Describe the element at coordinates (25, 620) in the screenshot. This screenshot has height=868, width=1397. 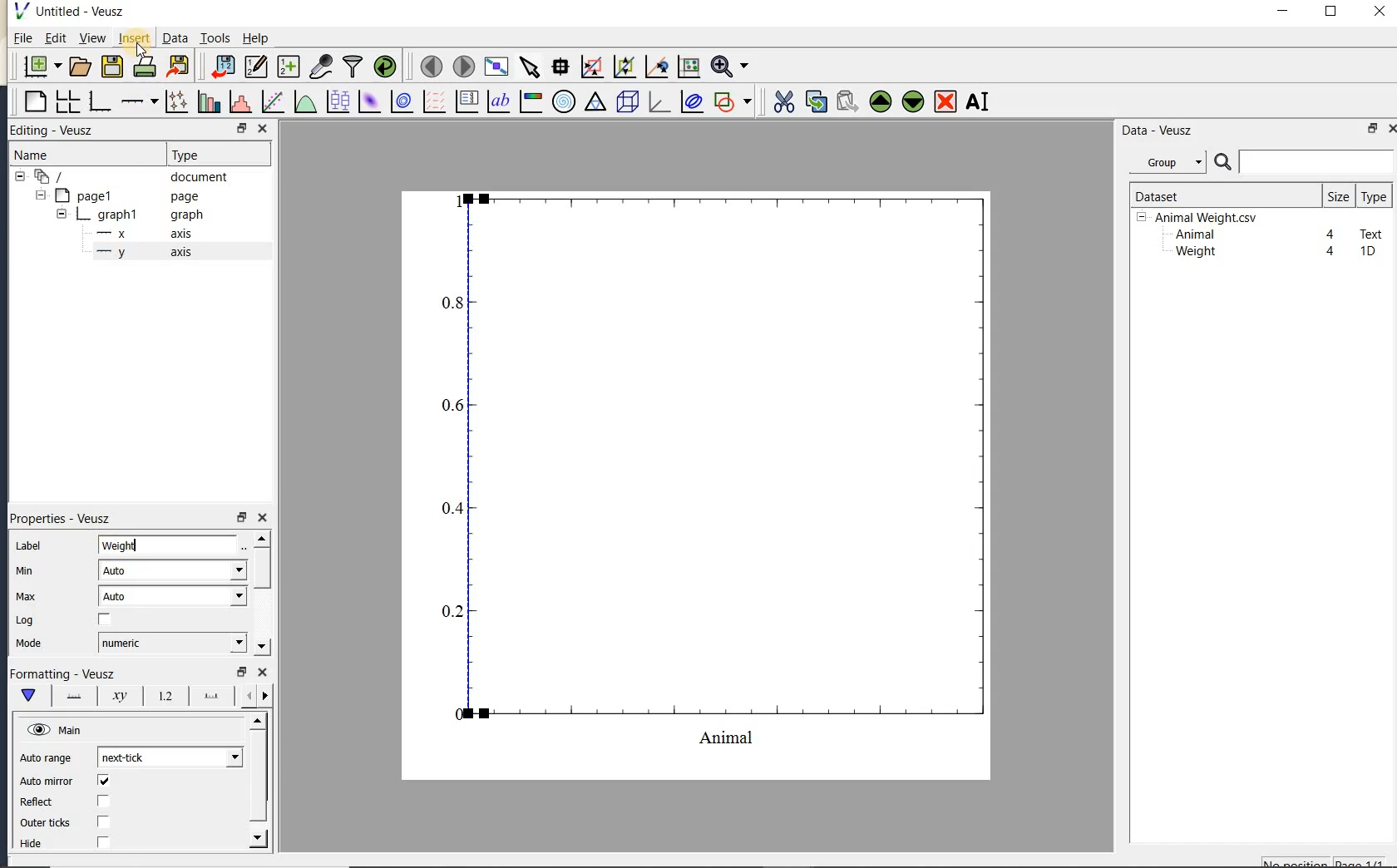
I see `Log` at that location.